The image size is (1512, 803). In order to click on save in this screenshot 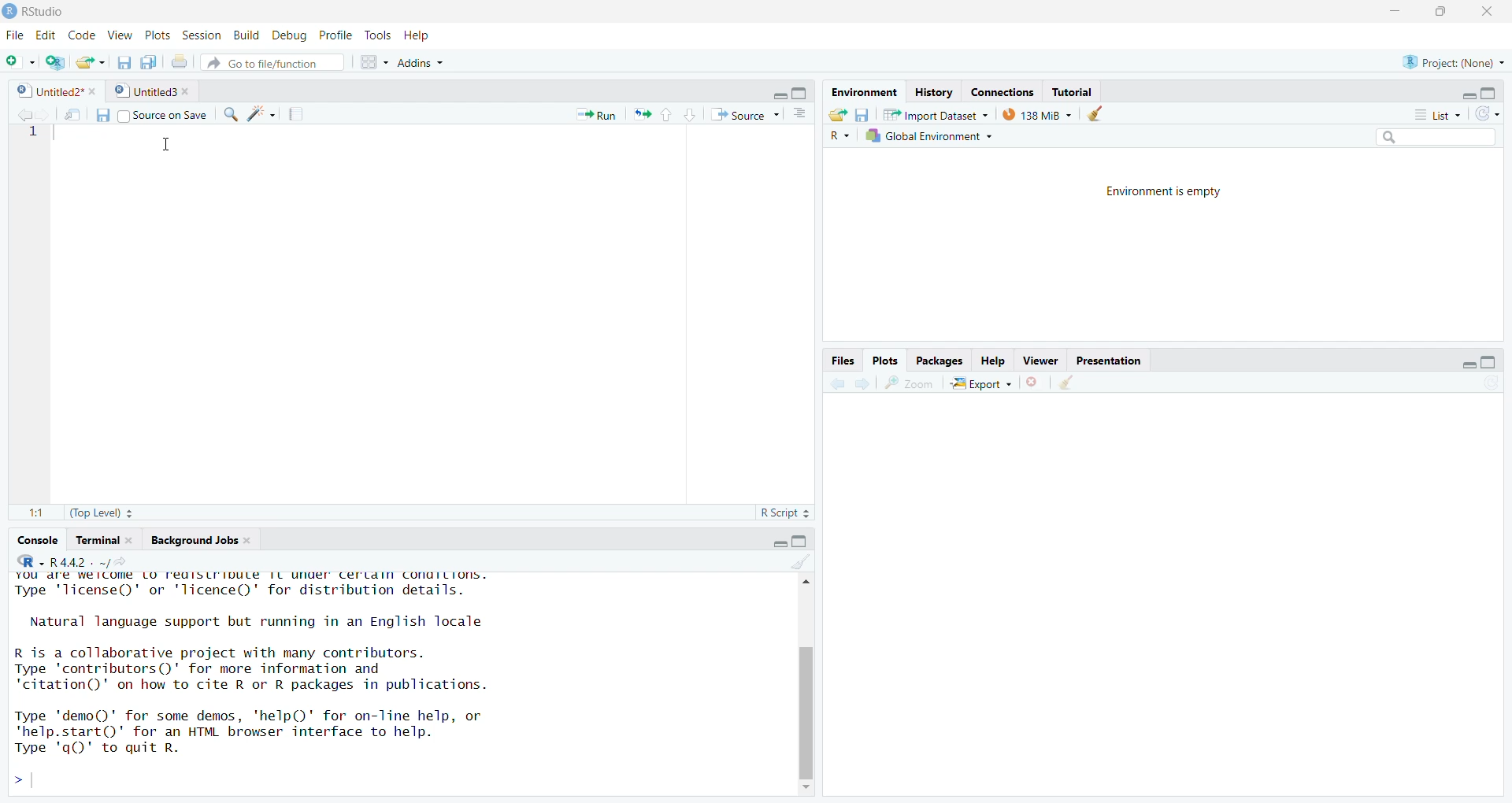, I will do `click(98, 115)`.